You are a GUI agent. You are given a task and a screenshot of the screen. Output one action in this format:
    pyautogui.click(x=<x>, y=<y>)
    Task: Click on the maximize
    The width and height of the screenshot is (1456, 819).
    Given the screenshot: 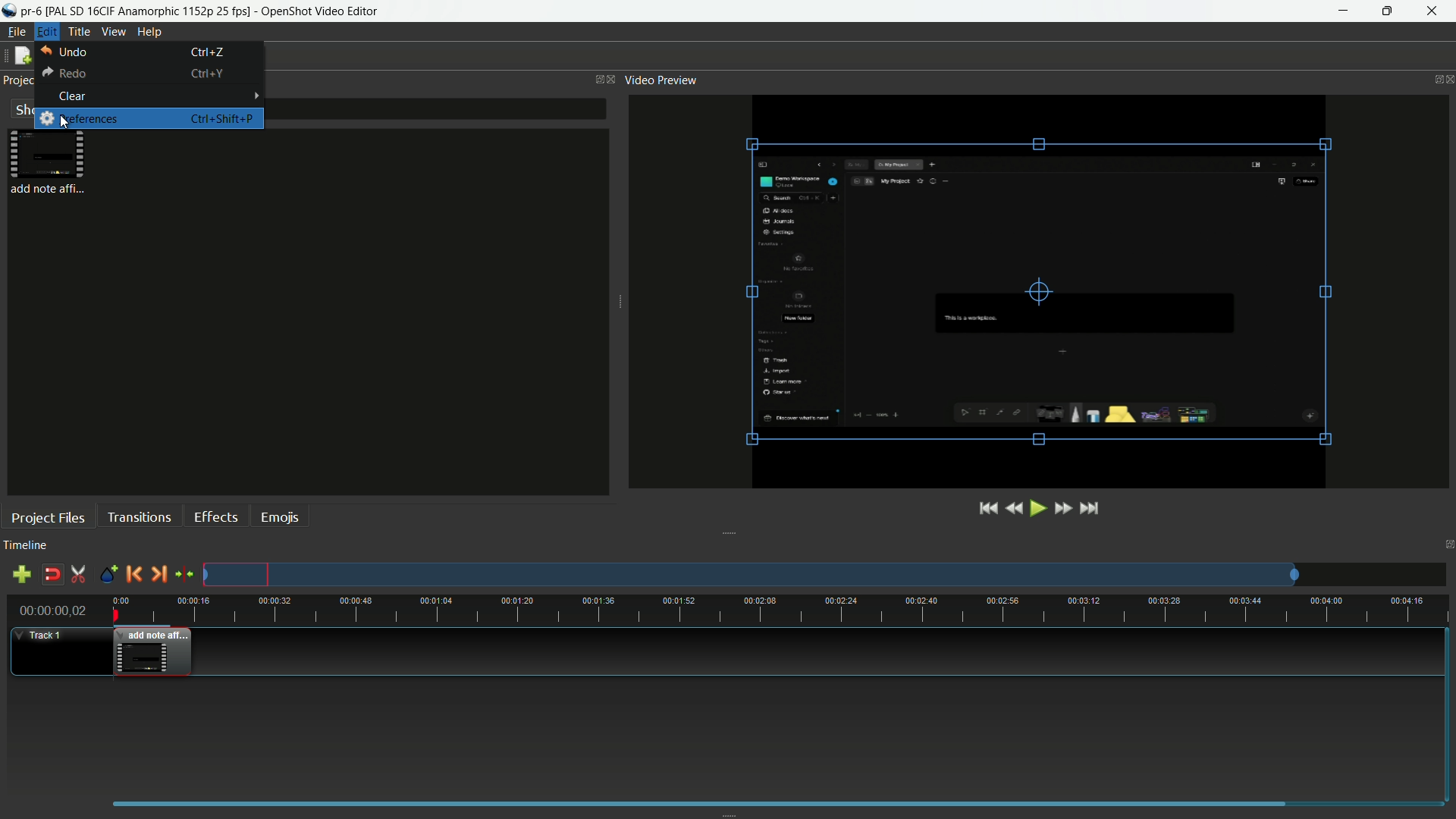 What is the action you would take?
    pyautogui.click(x=1385, y=11)
    